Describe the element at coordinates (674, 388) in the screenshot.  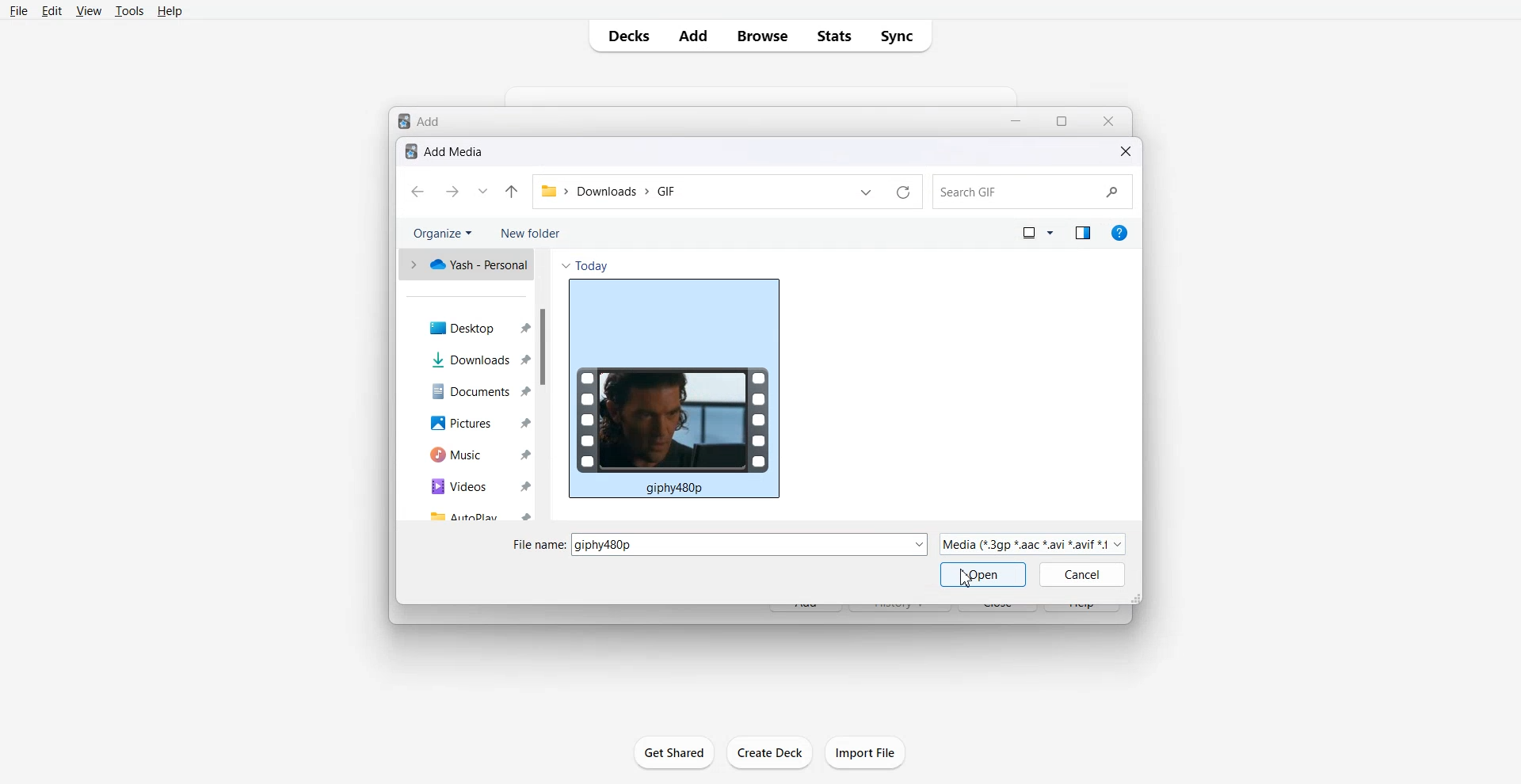
I see `GIF File` at that location.